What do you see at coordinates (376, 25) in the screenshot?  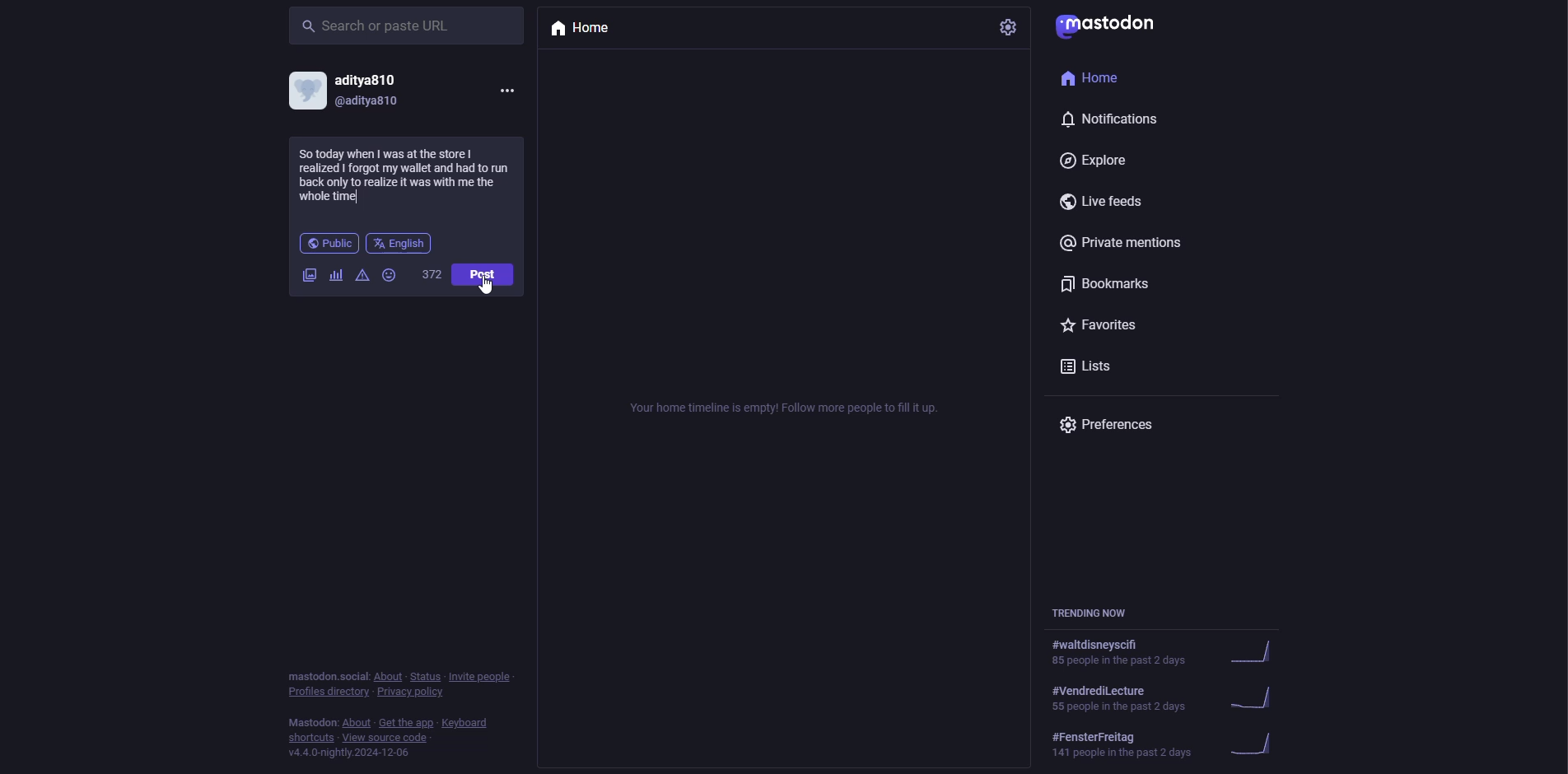 I see `search` at bounding box center [376, 25].